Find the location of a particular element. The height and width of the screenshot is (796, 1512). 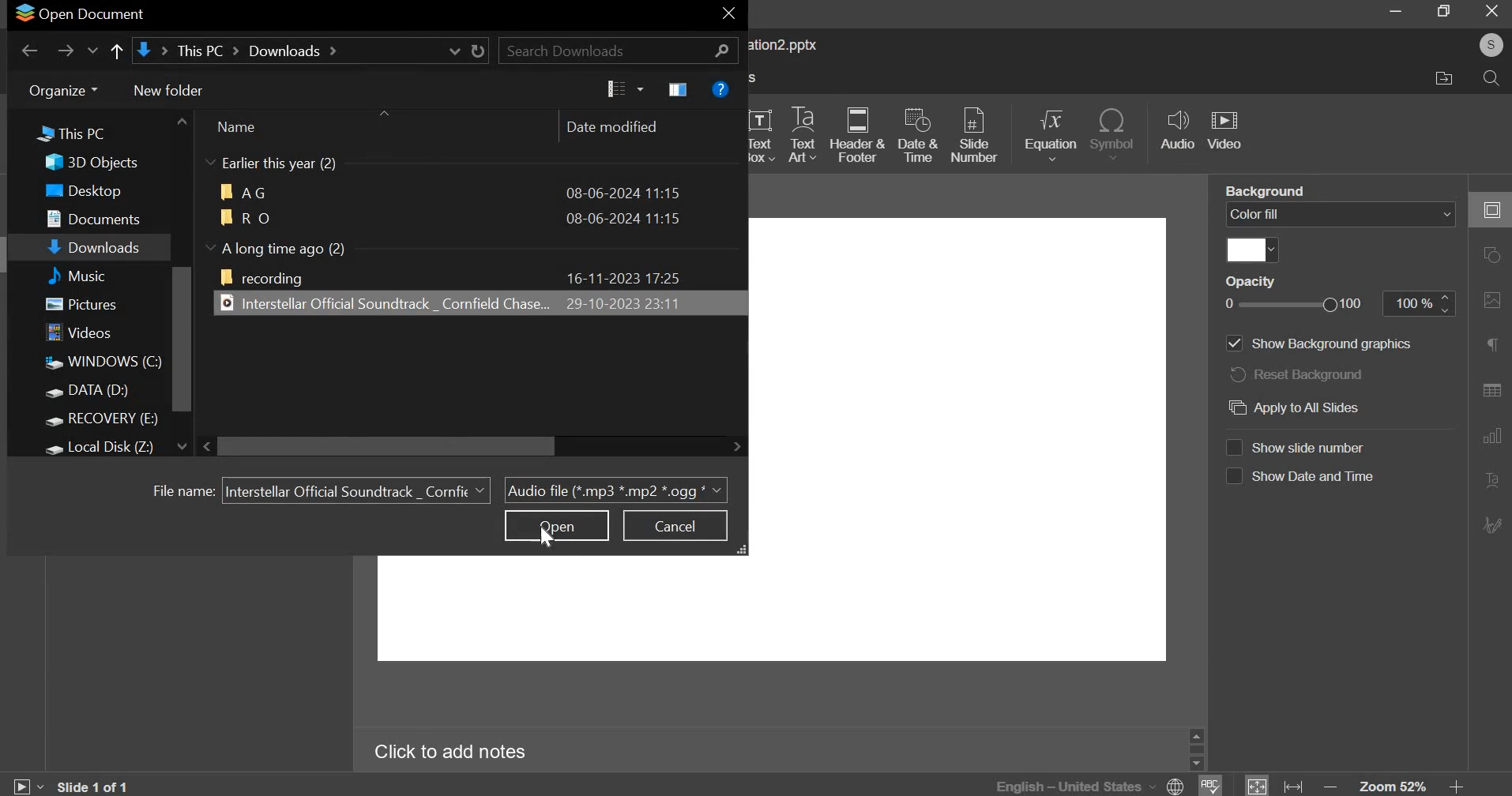

header & footer is located at coordinates (861, 136).